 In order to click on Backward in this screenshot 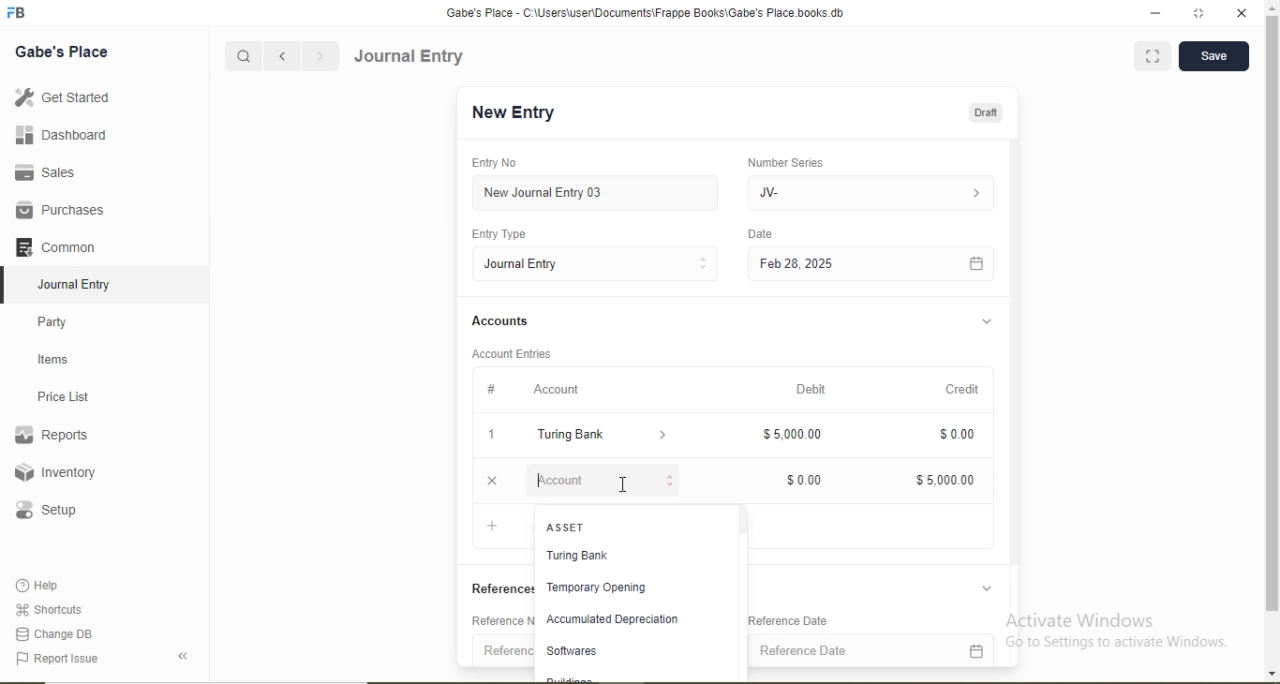, I will do `click(282, 57)`.